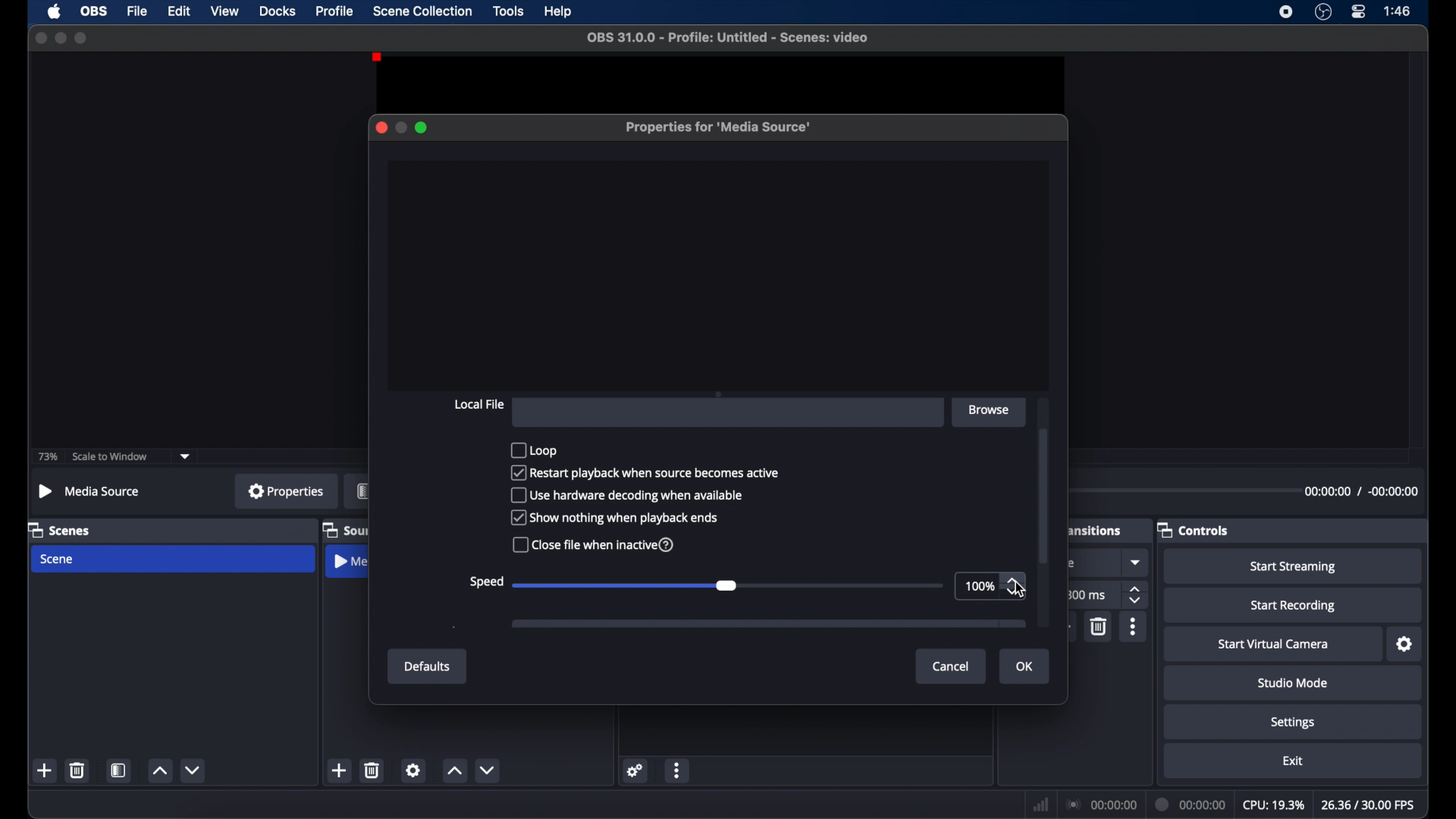 Image resolution: width=1456 pixels, height=819 pixels. I want to click on tools, so click(510, 10).